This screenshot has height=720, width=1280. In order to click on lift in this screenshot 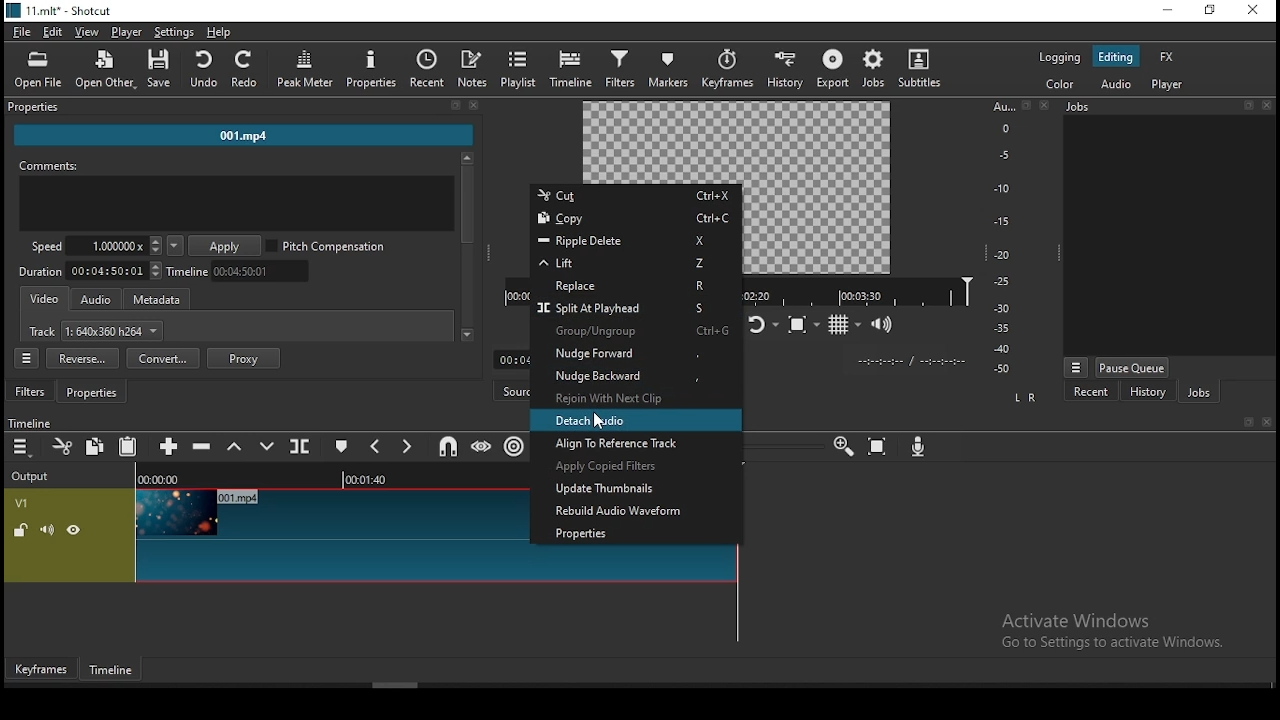, I will do `click(236, 446)`.